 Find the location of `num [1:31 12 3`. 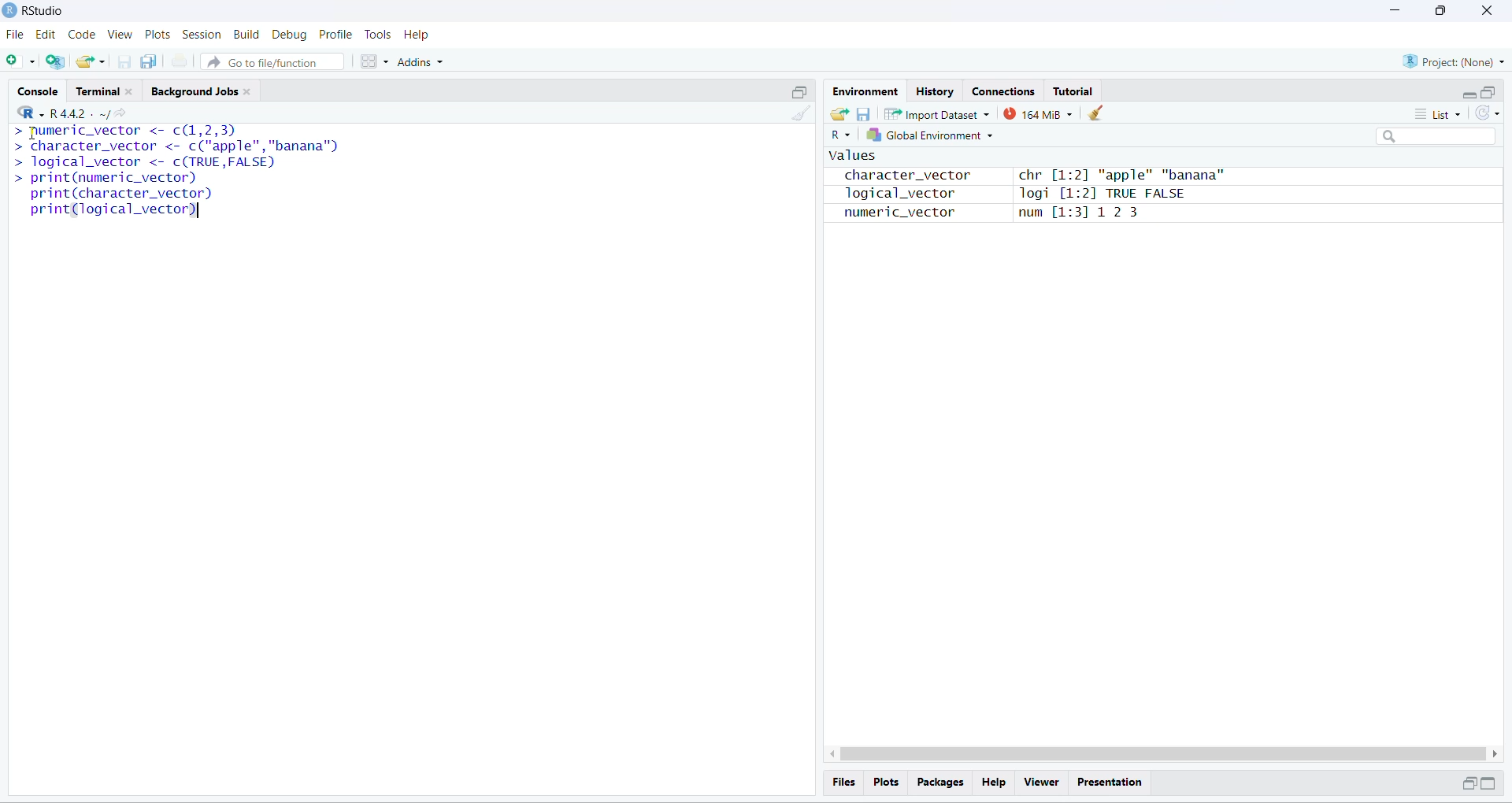

num [1:31 12 3 is located at coordinates (1080, 214).